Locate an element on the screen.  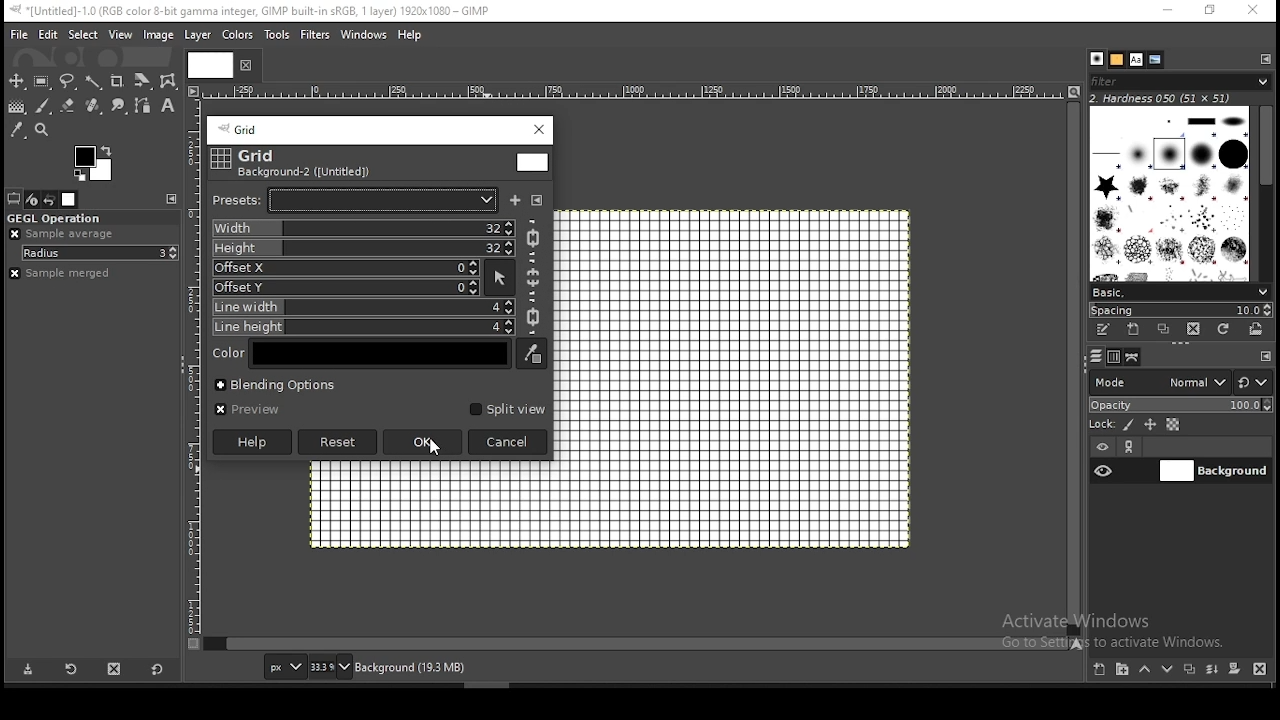
lock is located at coordinates (1101, 424).